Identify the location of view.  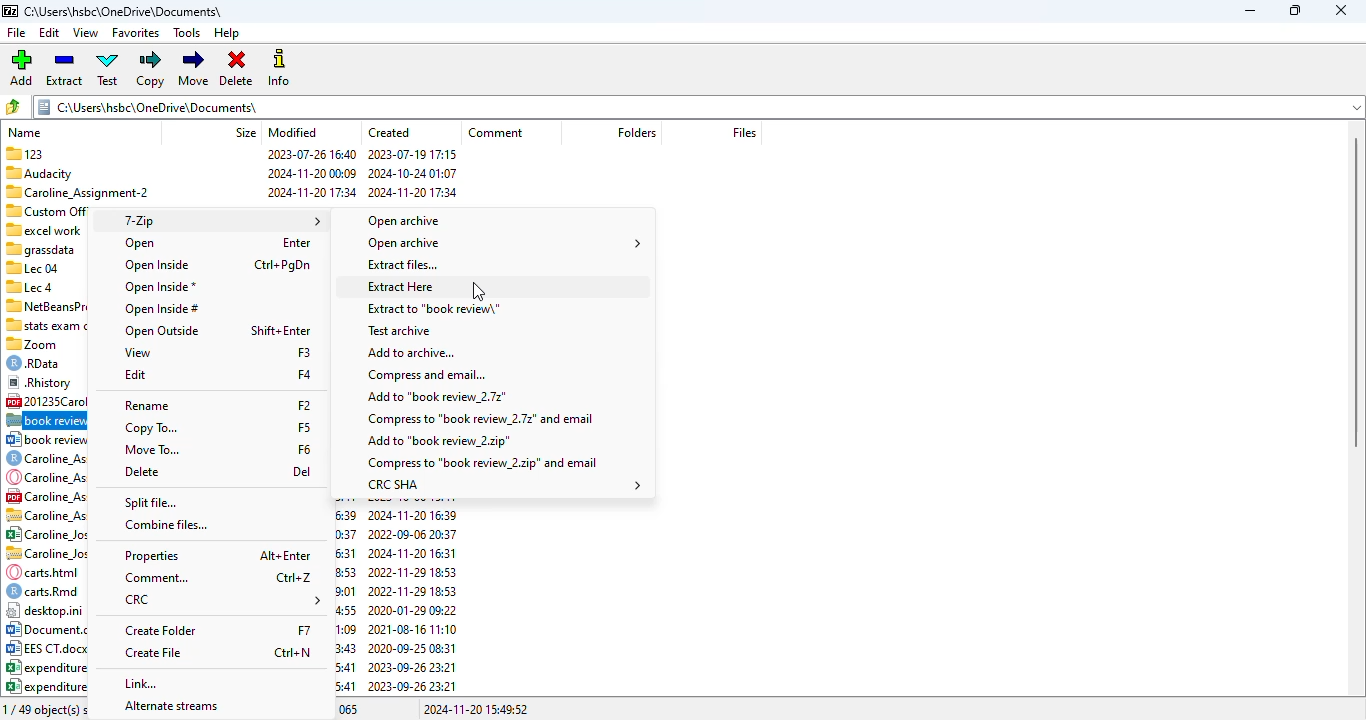
(85, 33).